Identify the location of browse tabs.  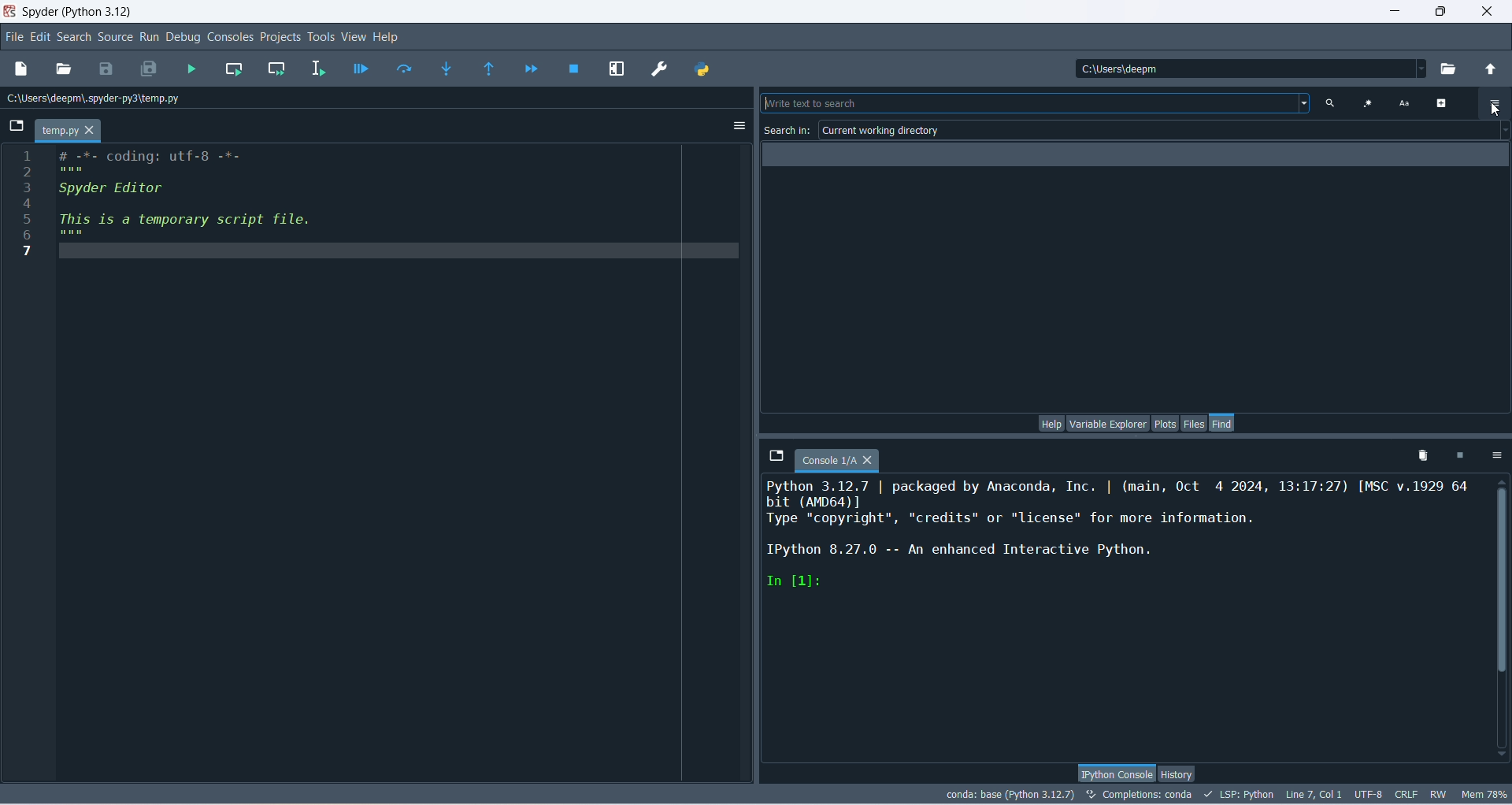
(13, 126).